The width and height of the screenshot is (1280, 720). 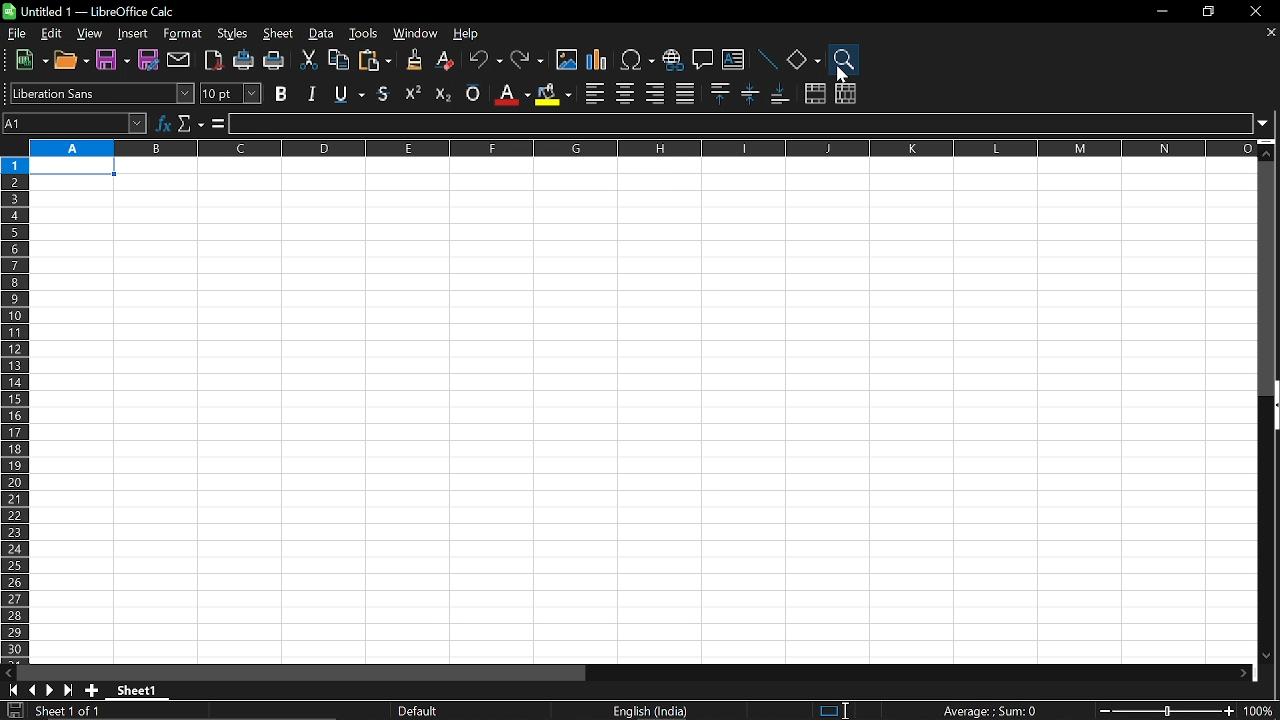 I want to click on go to first page, so click(x=10, y=689).